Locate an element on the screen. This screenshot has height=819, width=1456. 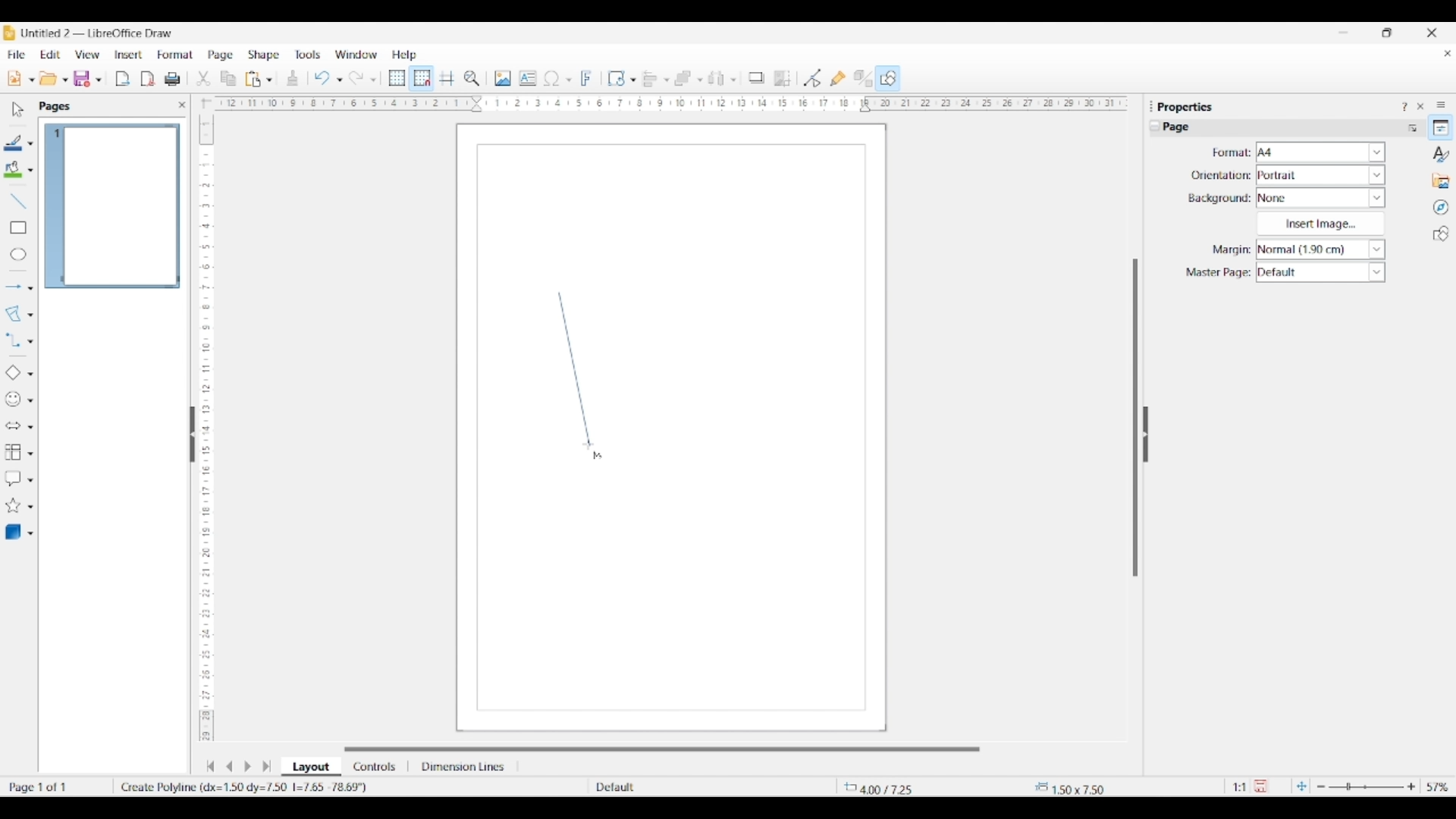
Window is located at coordinates (356, 55).